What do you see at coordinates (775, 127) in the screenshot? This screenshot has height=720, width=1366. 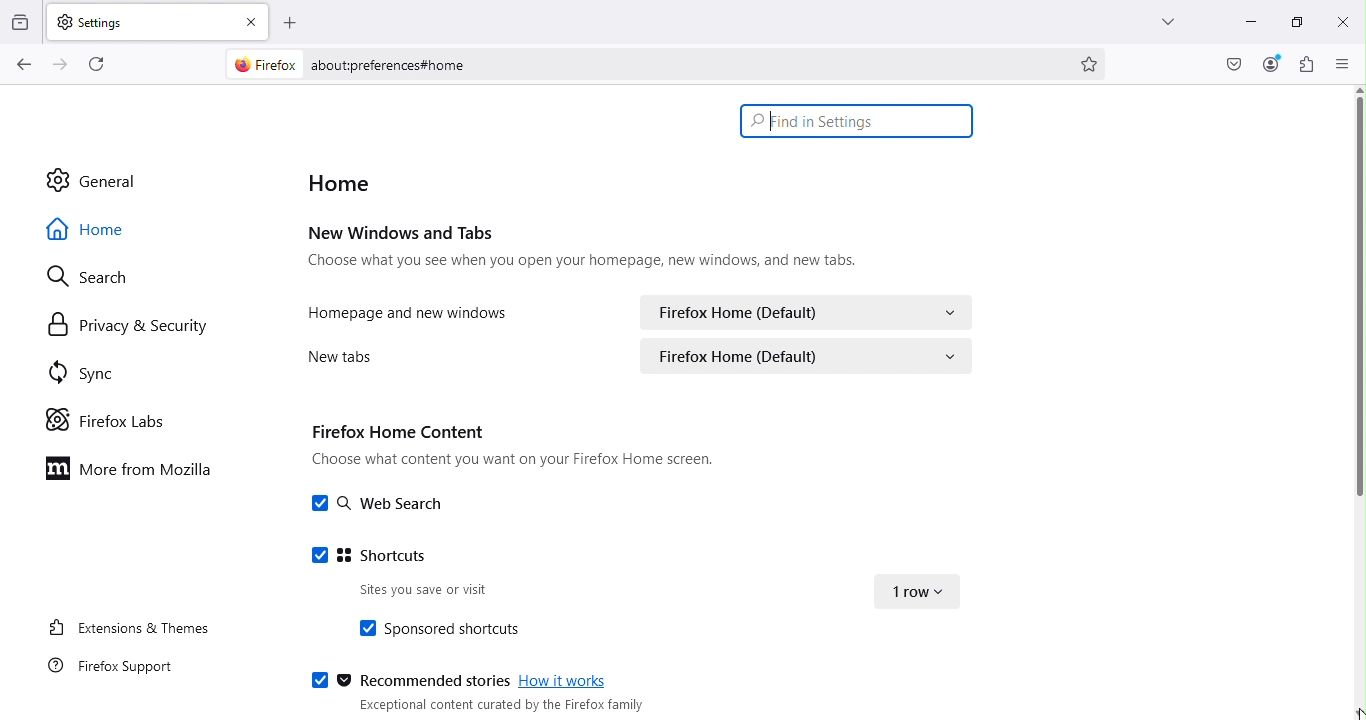 I see `cursor` at bounding box center [775, 127].